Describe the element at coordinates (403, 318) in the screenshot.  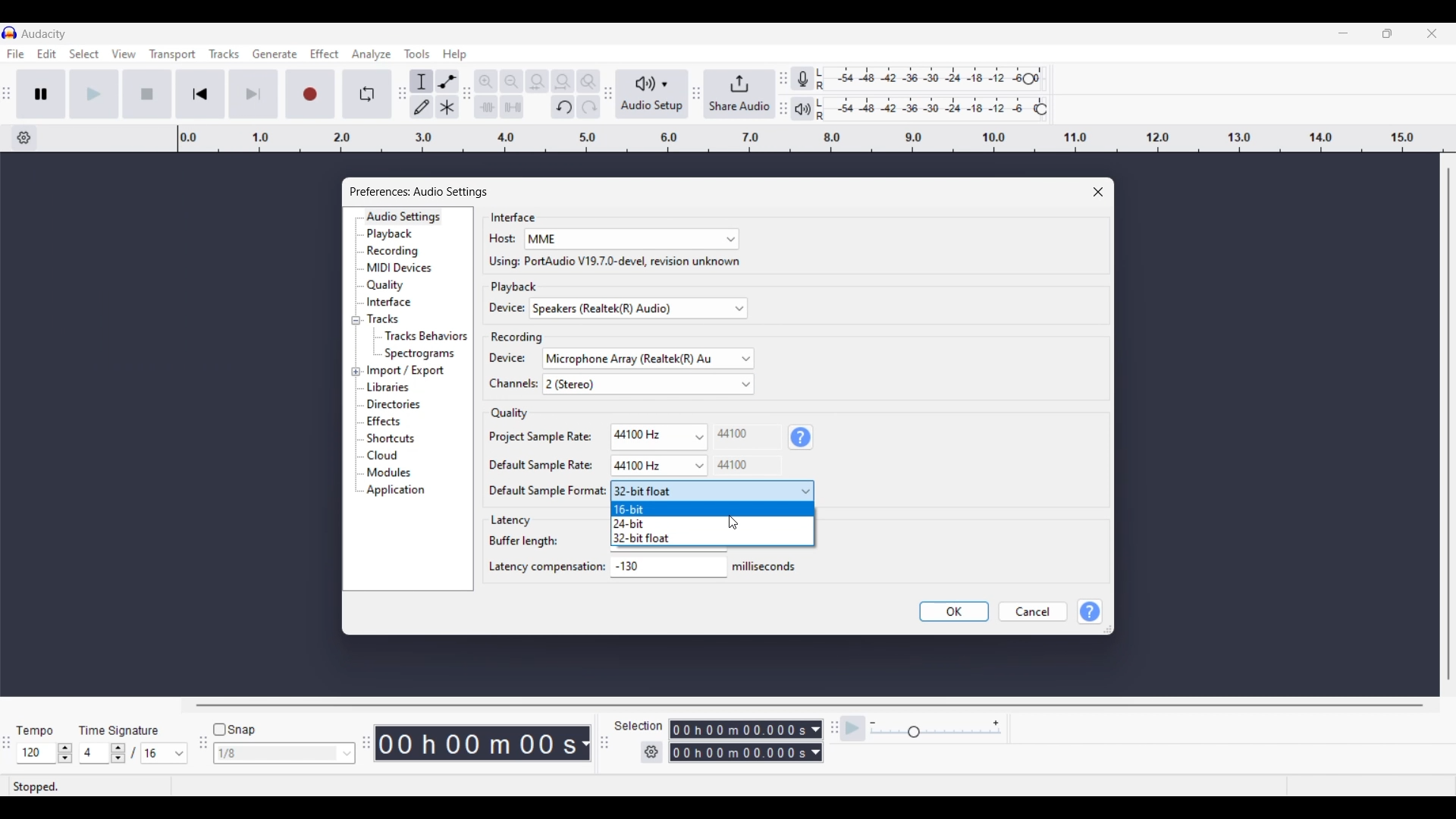
I see `Tracks` at that location.